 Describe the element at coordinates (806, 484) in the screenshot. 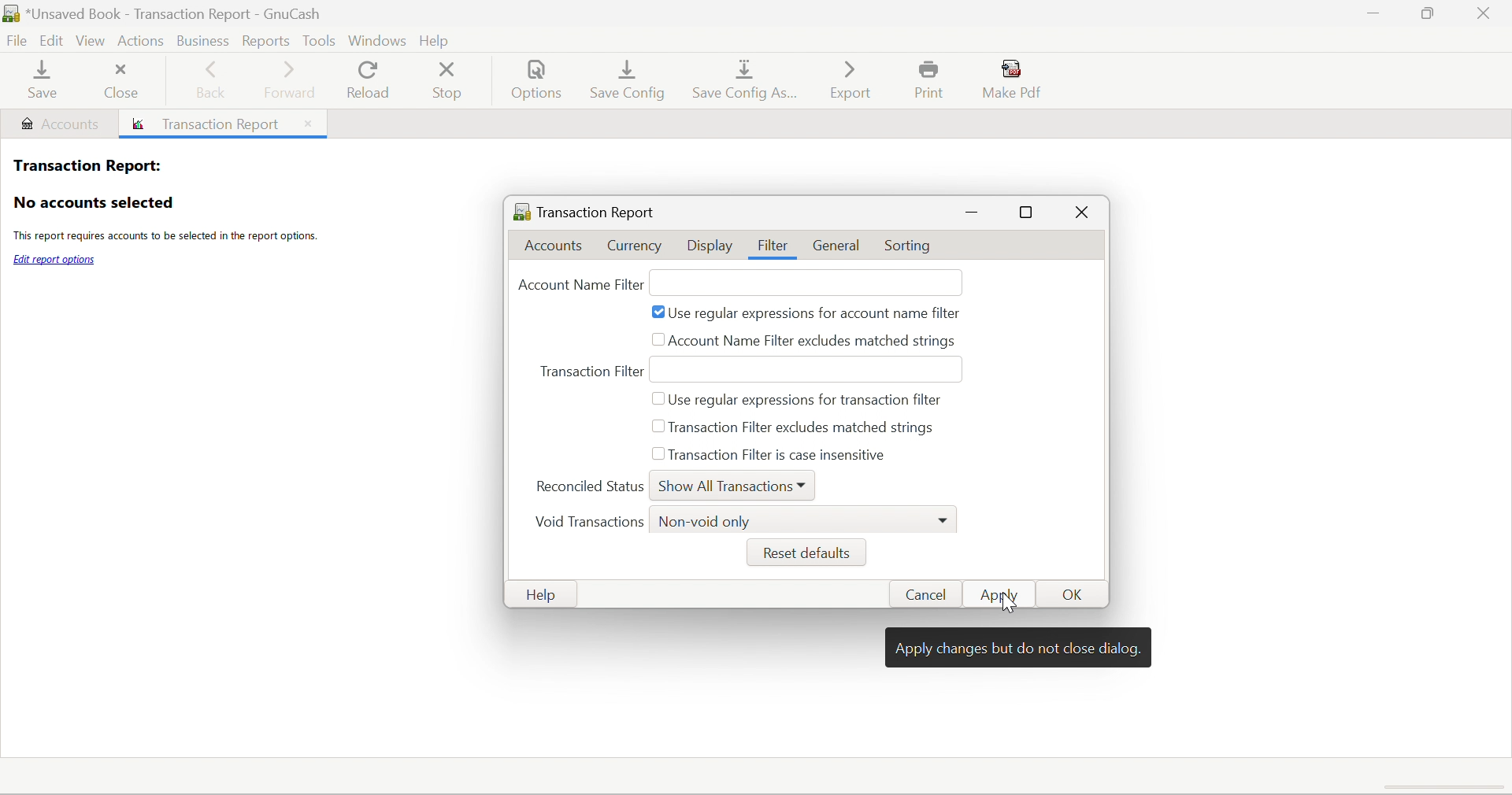

I see `Drop Down` at that location.